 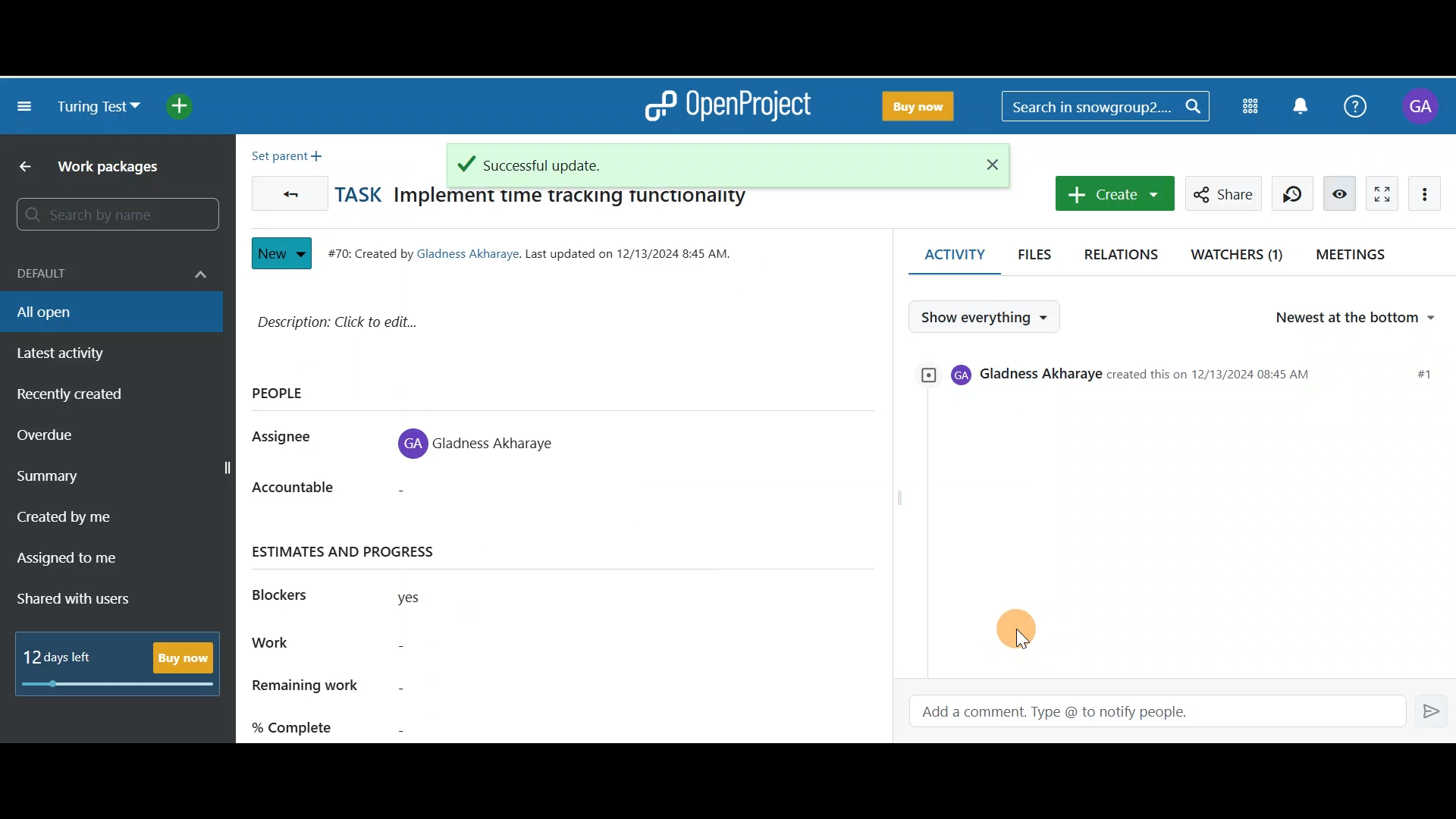 What do you see at coordinates (1180, 379) in the screenshot?
I see `Gladness Akharaye created this on 12/13/2024 08:45 AM #1` at bounding box center [1180, 379].